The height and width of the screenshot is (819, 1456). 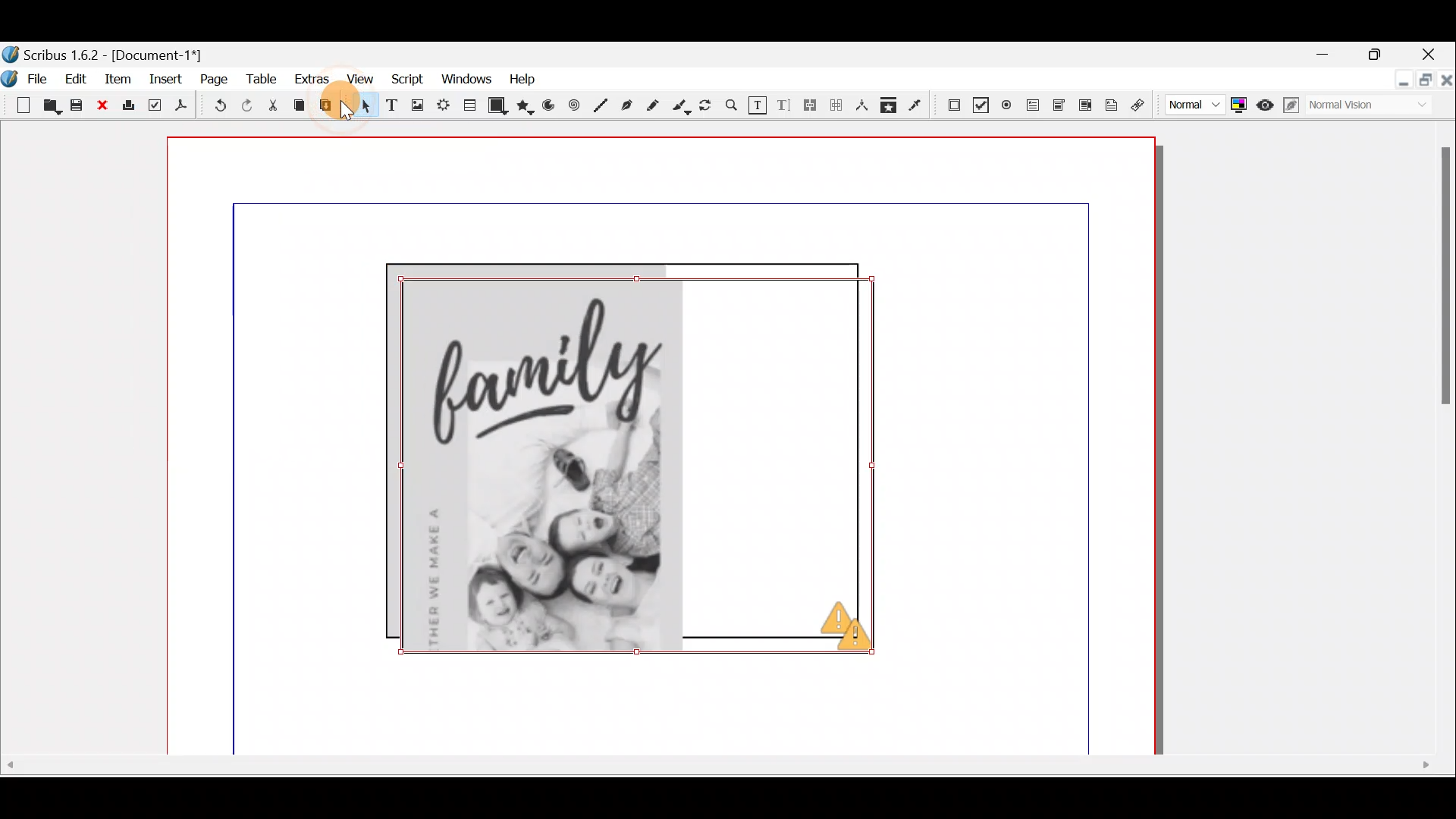 What do you see at coordinates (1434, 444) in the screenshot?
I see `Scroll bar` at bounding box center [1434, 444].